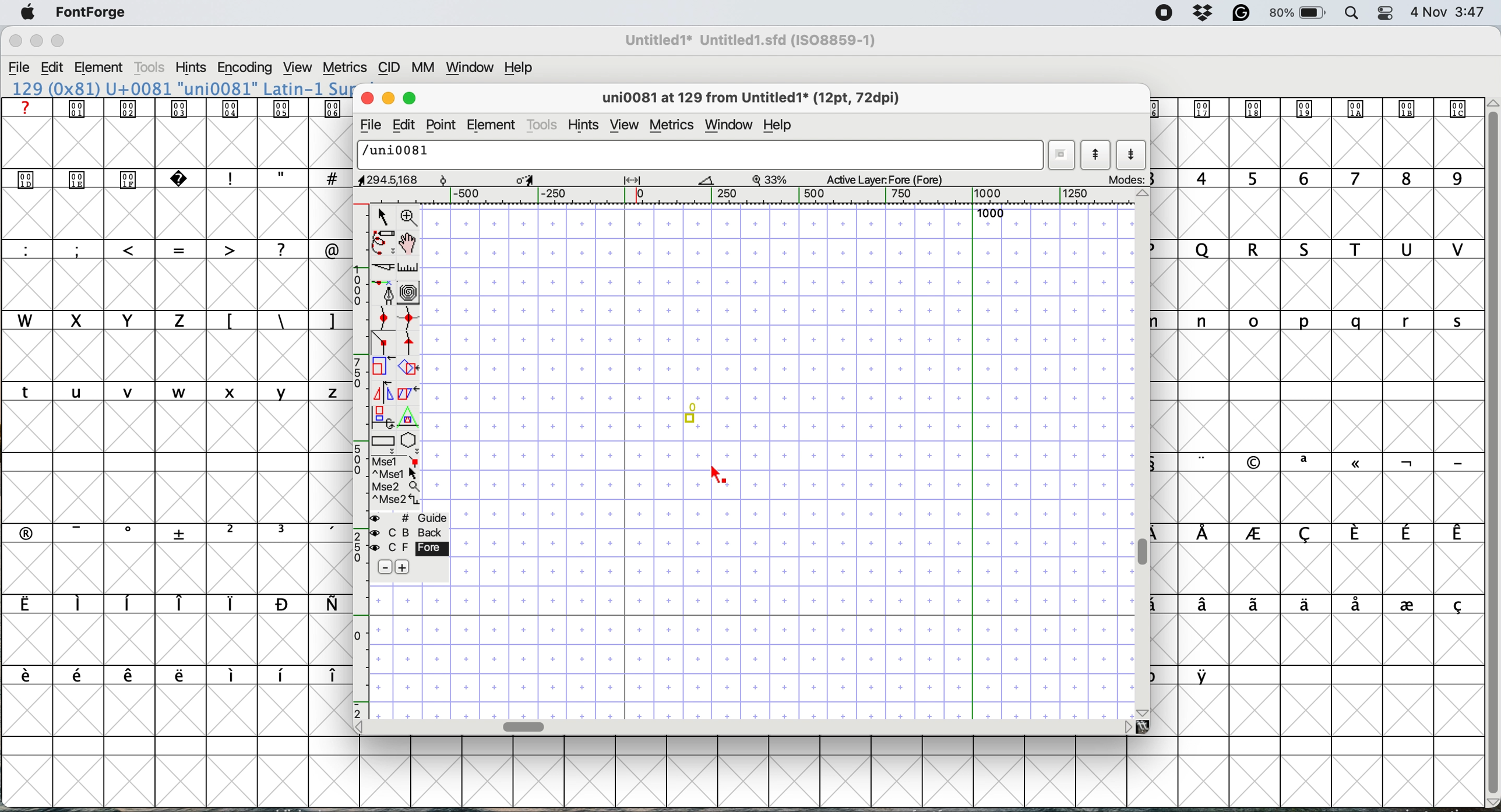  What do you see at coordinates (1469, 13) in the screenshot?
I see `3:47` at bounding box center [1469, 13].